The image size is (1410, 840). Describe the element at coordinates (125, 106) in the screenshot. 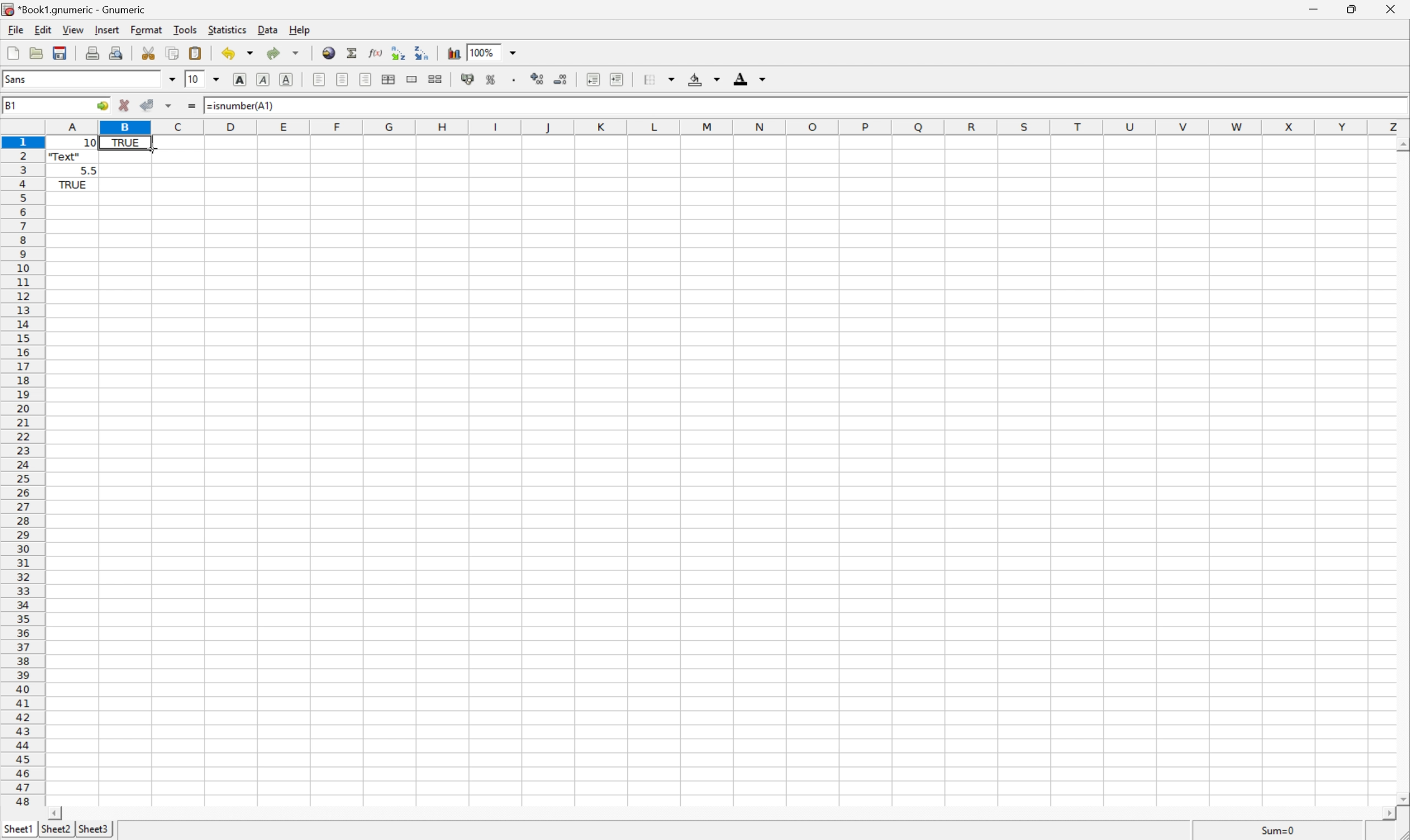

I see `Cancel changes` at that location.